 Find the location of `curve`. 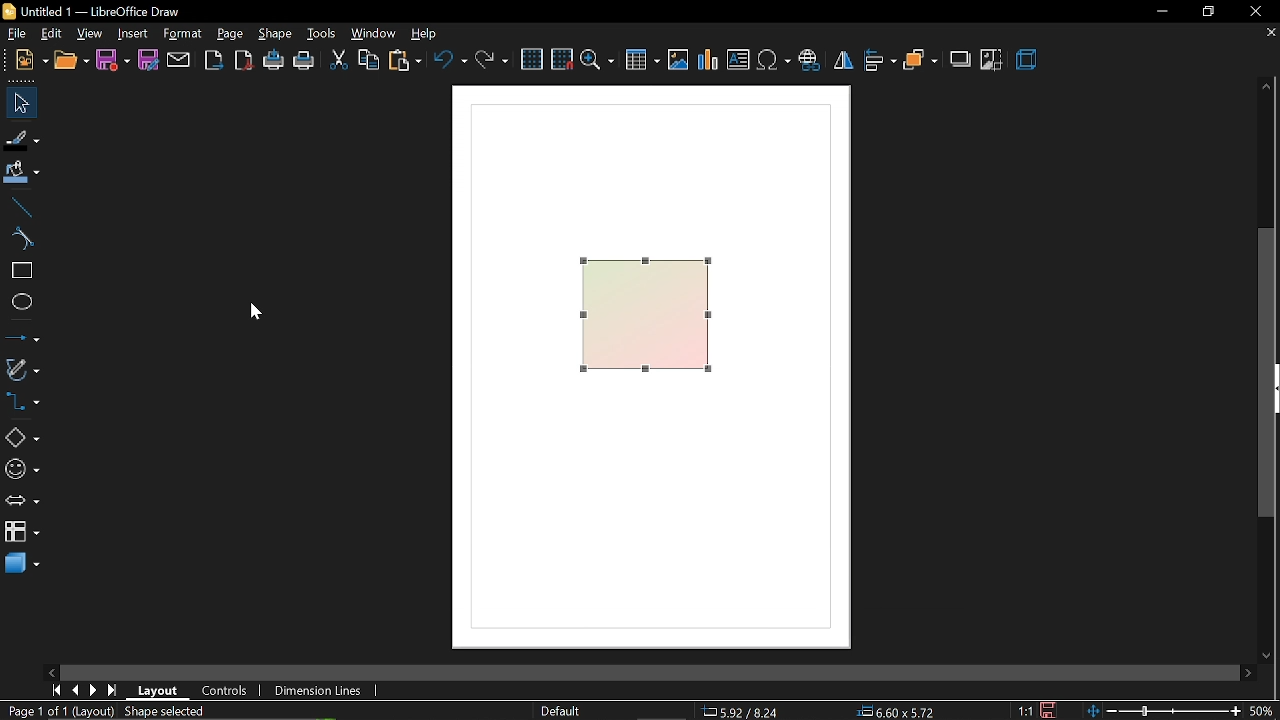

curve is located at coordinates (19, 240).